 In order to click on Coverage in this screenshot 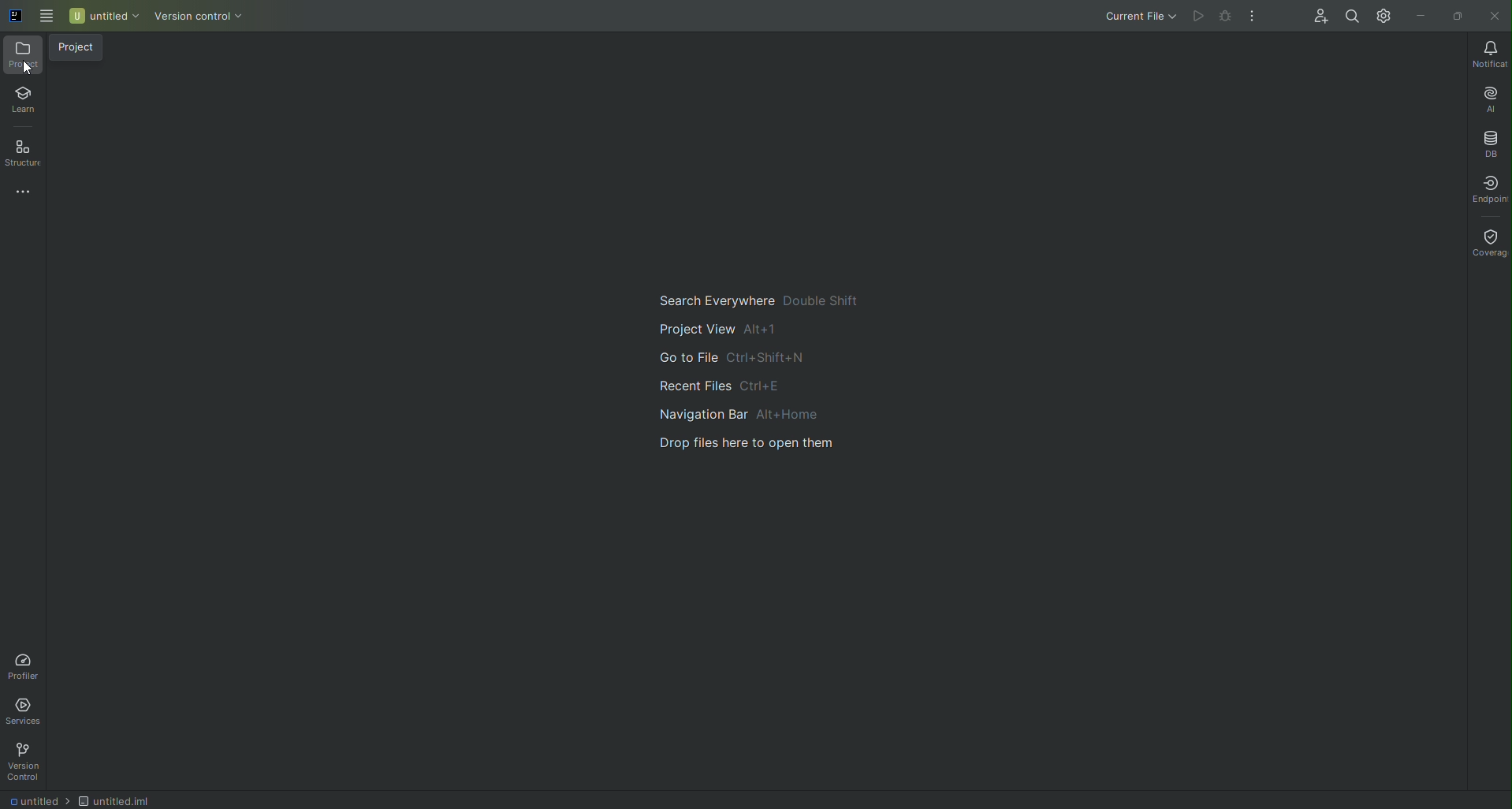, I will do `click(1488, 237)`.